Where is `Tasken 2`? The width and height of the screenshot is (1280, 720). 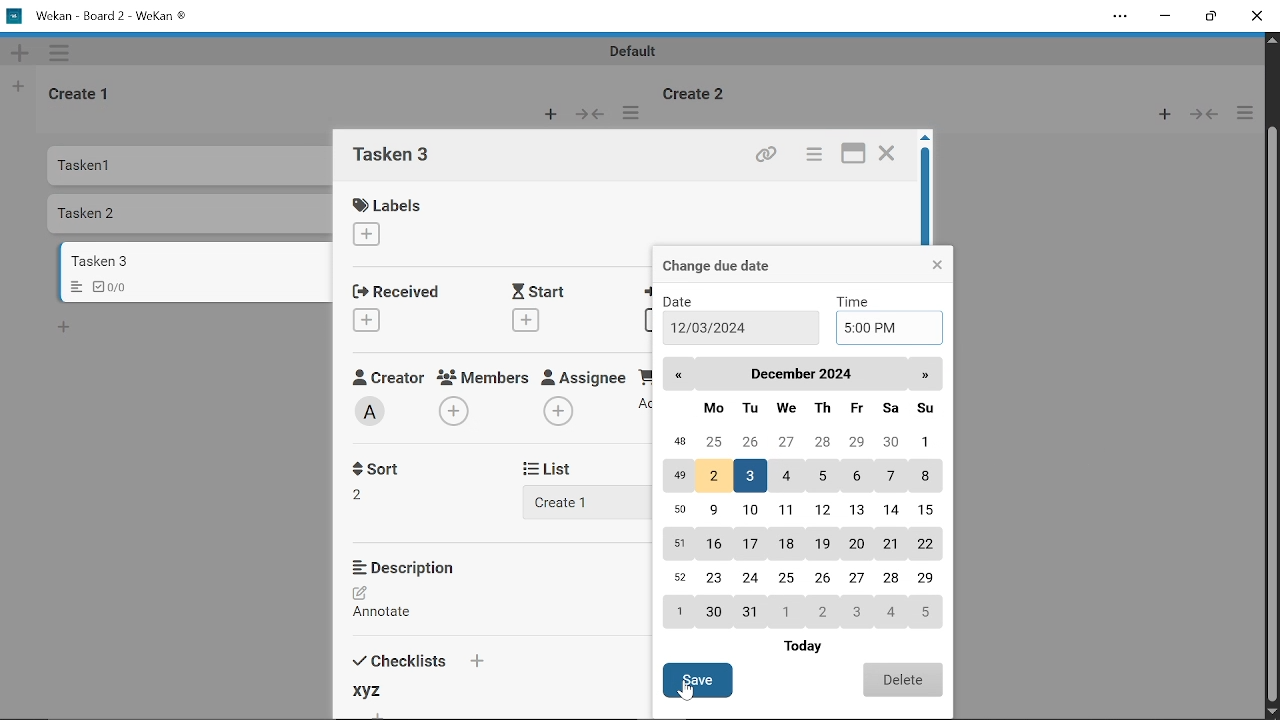 Tasken 2 is located at coordinates (132, 214).